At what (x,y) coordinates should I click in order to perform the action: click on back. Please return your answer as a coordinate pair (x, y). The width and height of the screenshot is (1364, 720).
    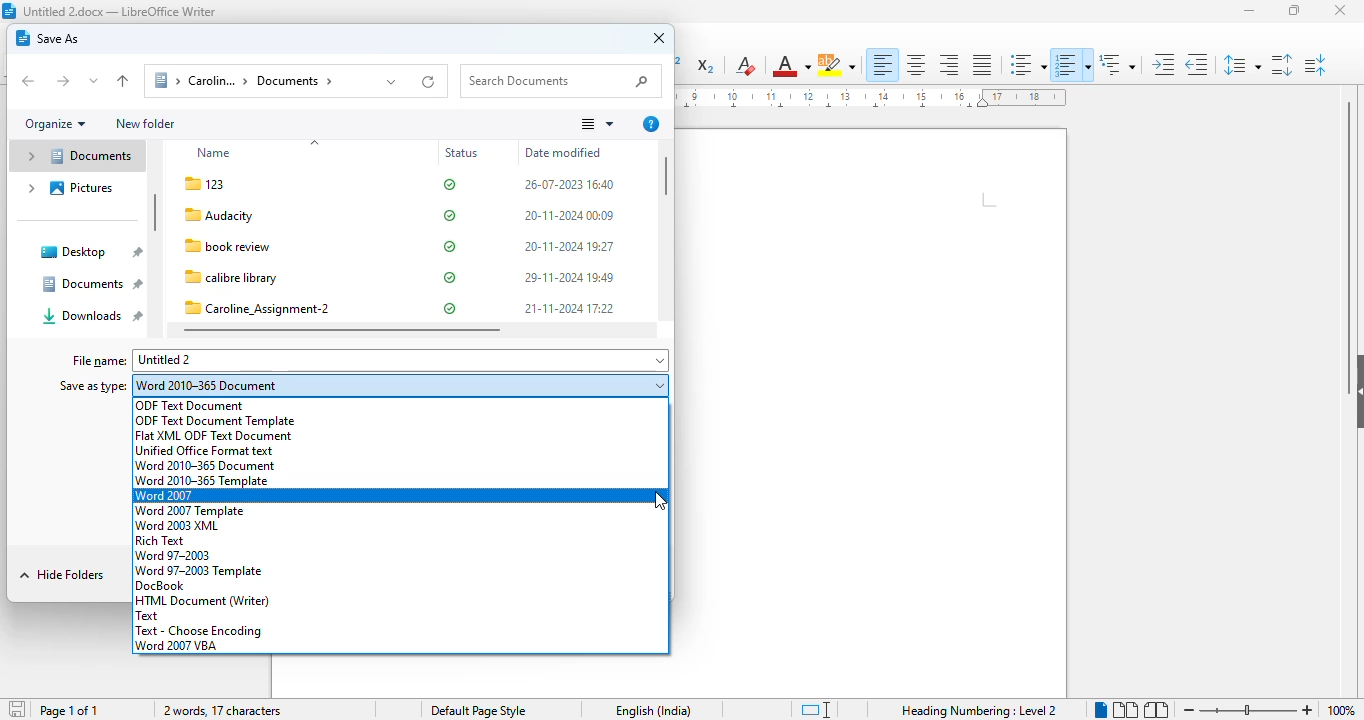
    Looking at the image, I should click on (29, 81).